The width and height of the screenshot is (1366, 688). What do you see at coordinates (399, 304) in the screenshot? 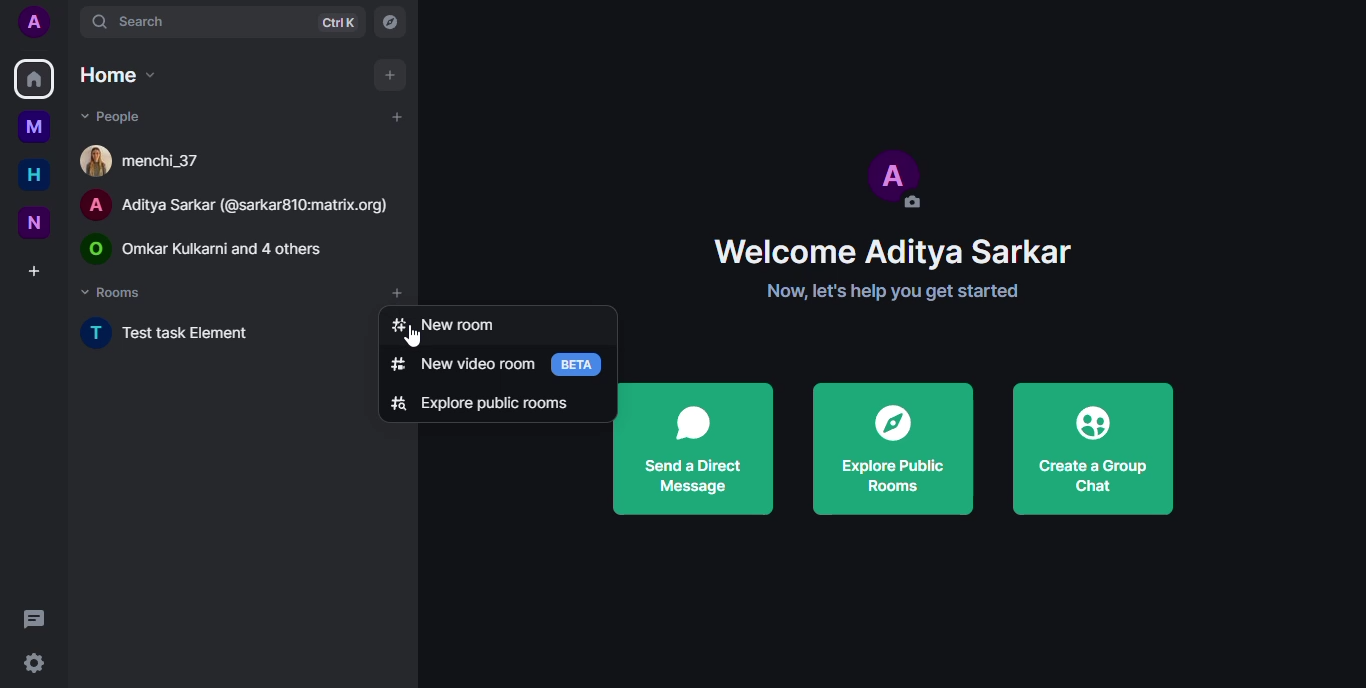
I see `cursor` at bounding box center [399, 304].